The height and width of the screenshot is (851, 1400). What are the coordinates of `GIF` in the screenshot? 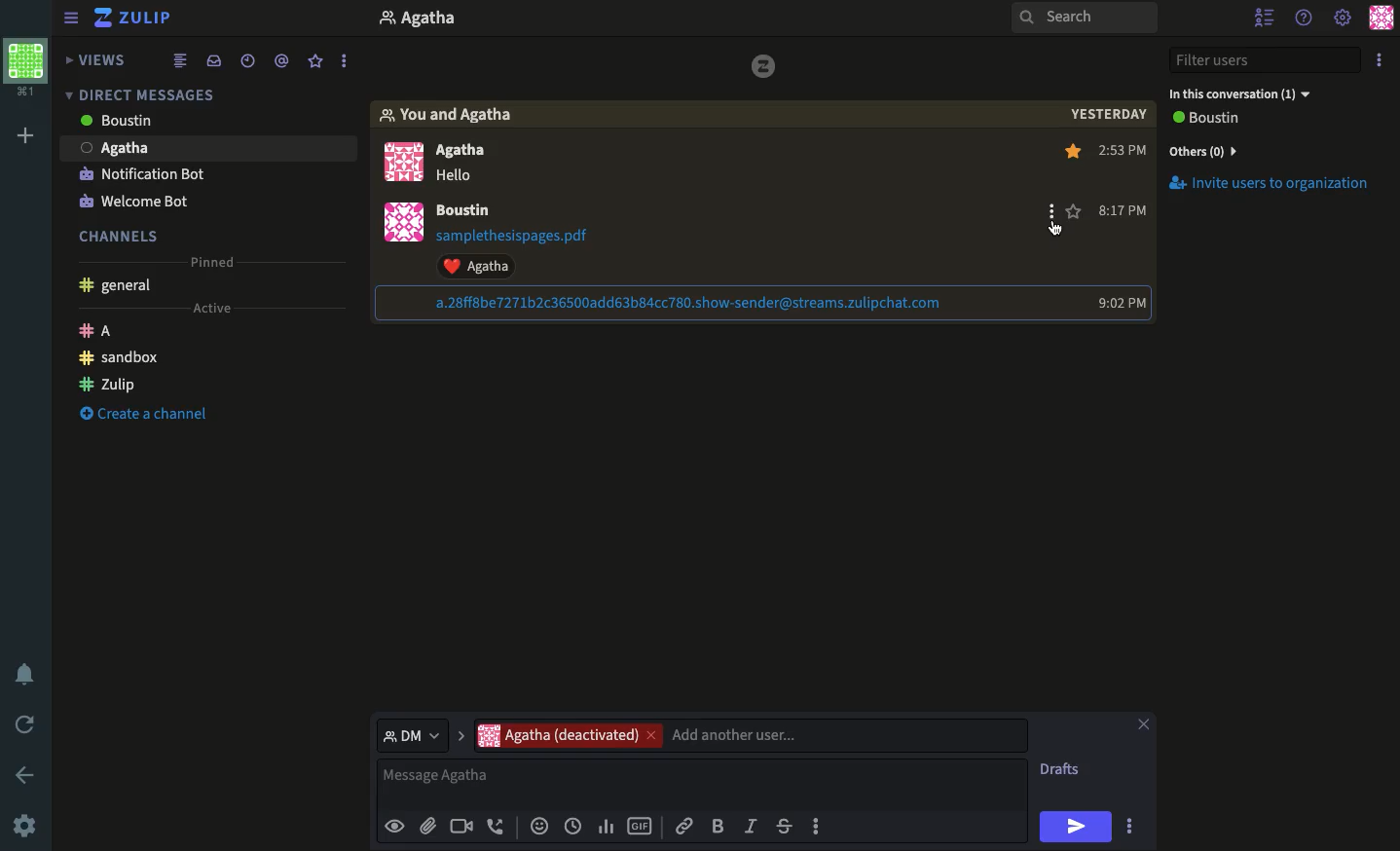 It's located at (640, 828).